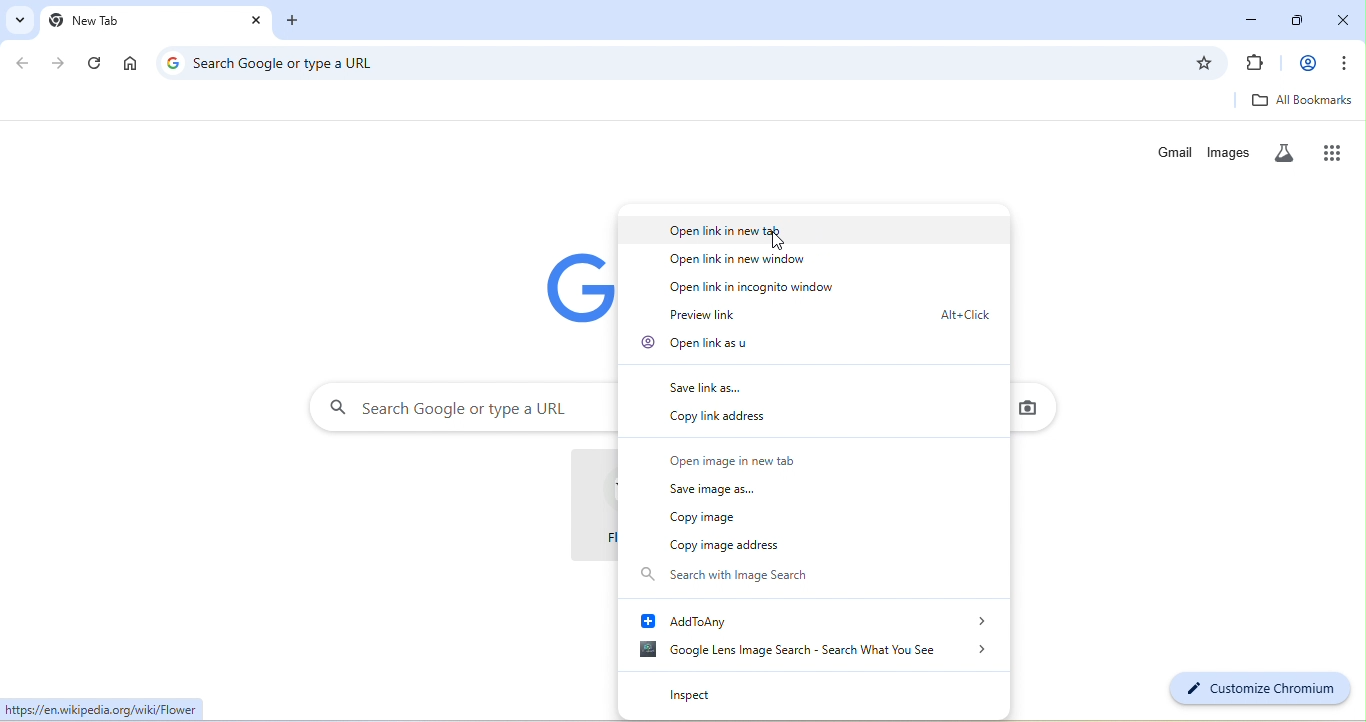  I want to click on open image in new tab, so click(737, 458).